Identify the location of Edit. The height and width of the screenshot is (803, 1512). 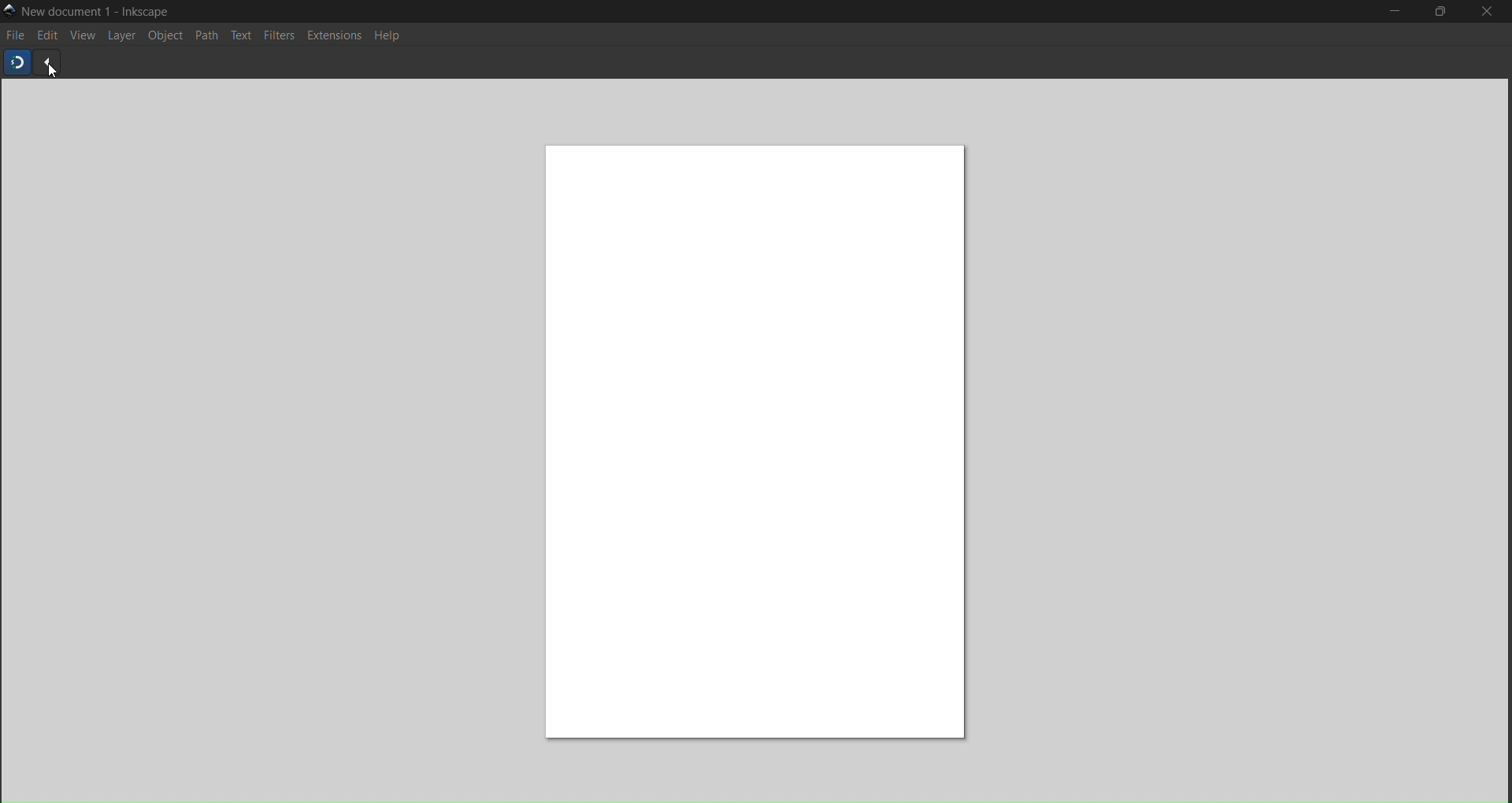
(46, 35).